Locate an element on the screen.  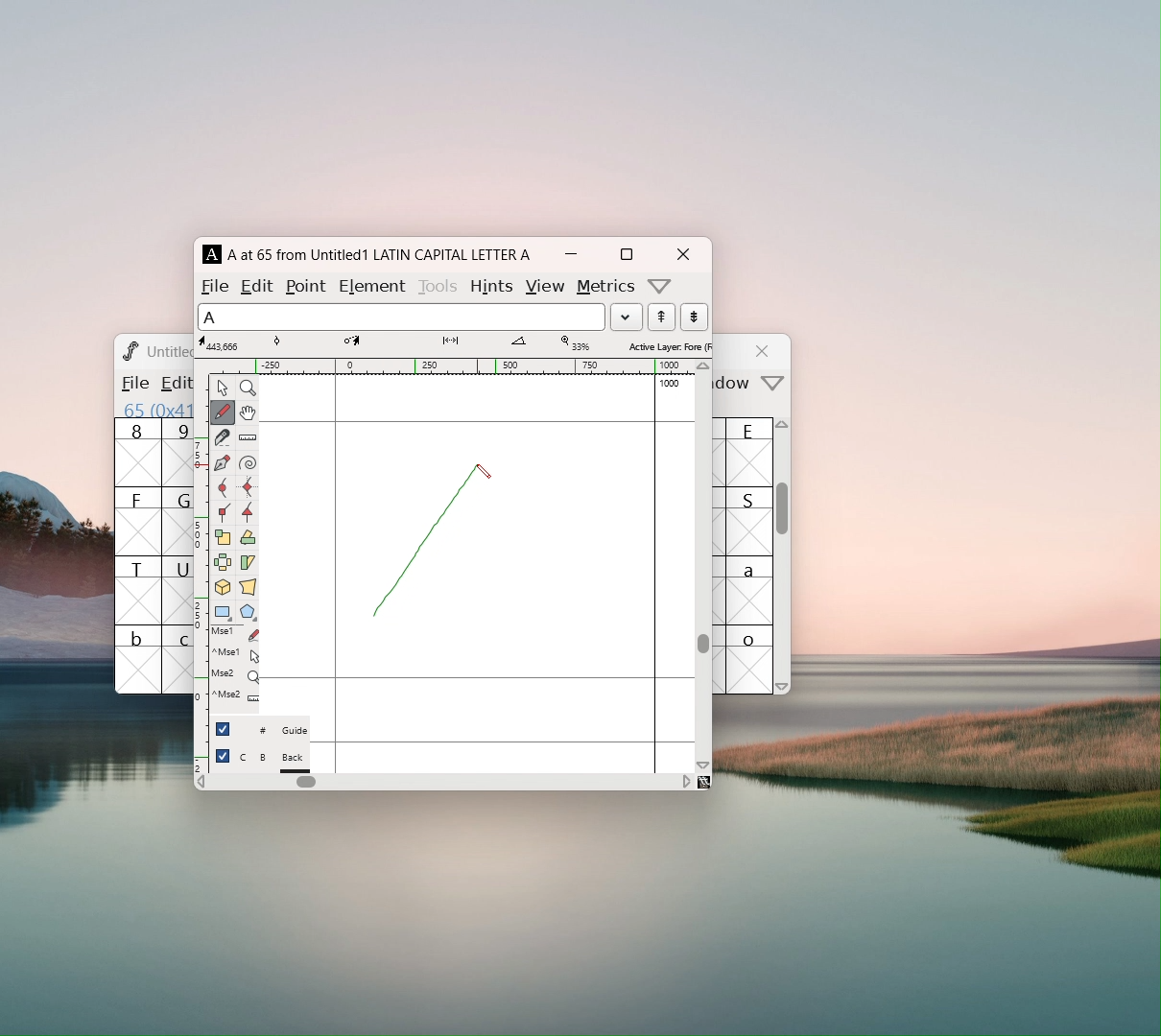
point is located at coordinates (308, 286).